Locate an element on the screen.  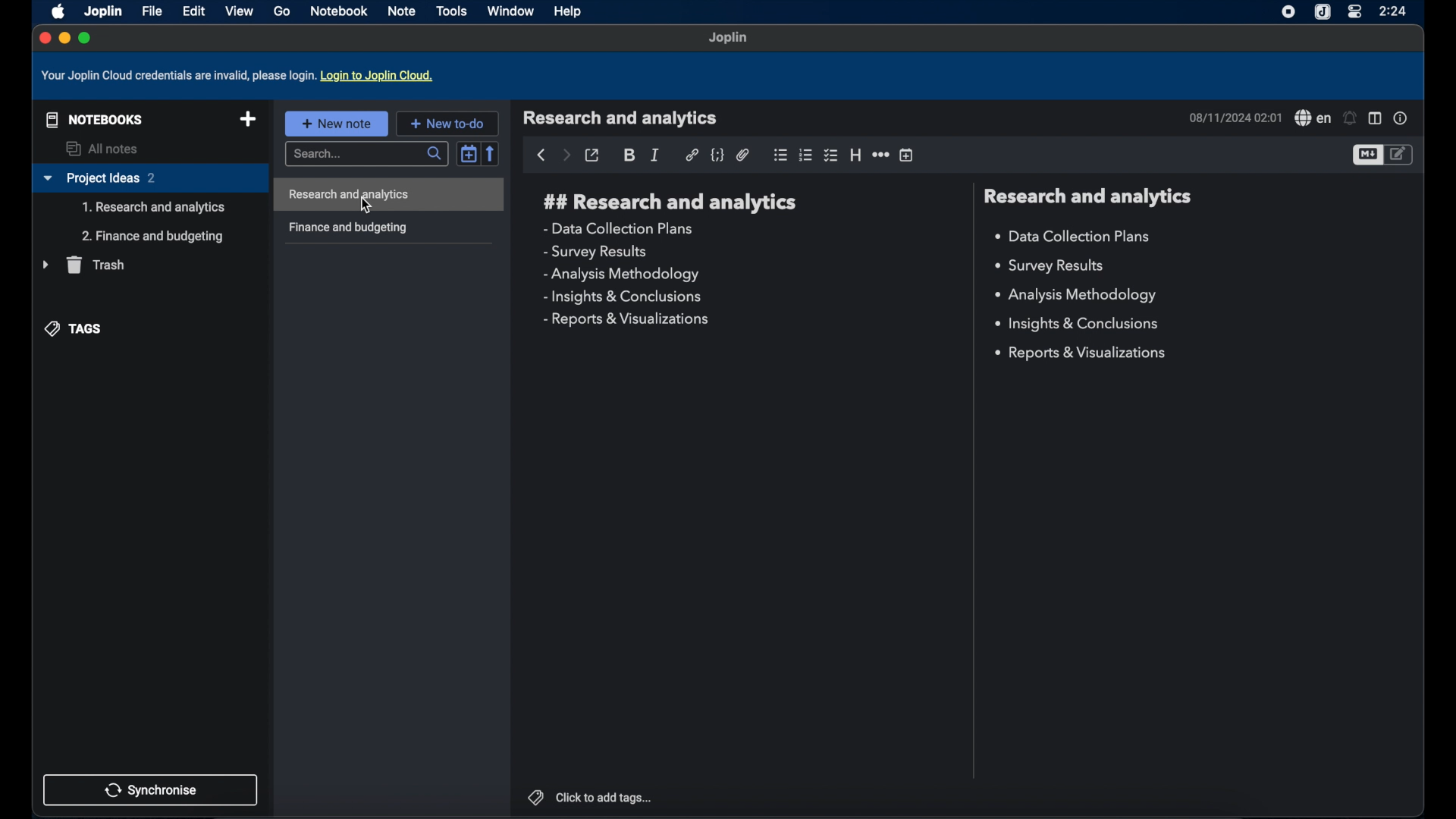
click to add tags is located at coordinates (589, 796).